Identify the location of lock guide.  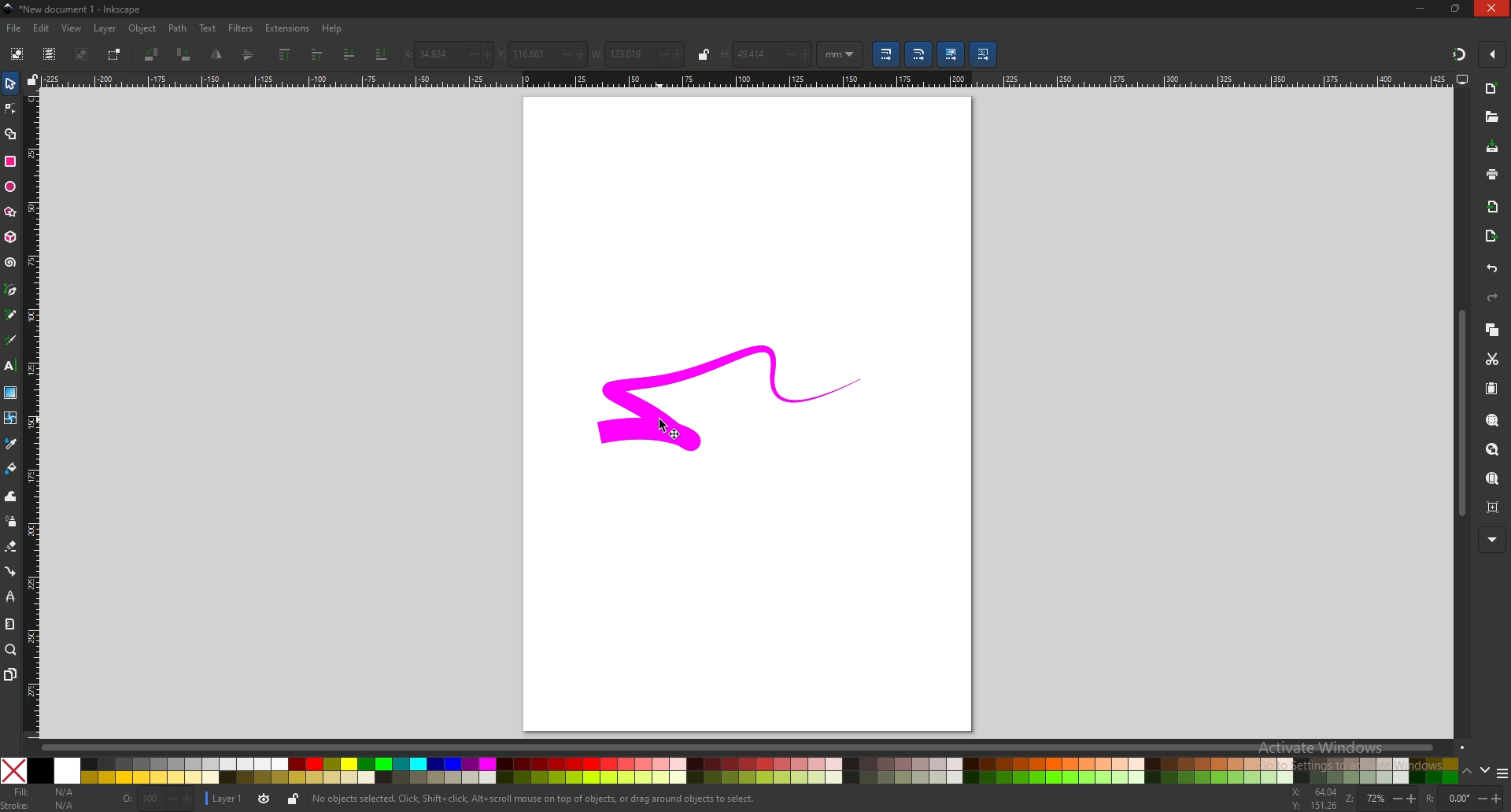
(32, 79).